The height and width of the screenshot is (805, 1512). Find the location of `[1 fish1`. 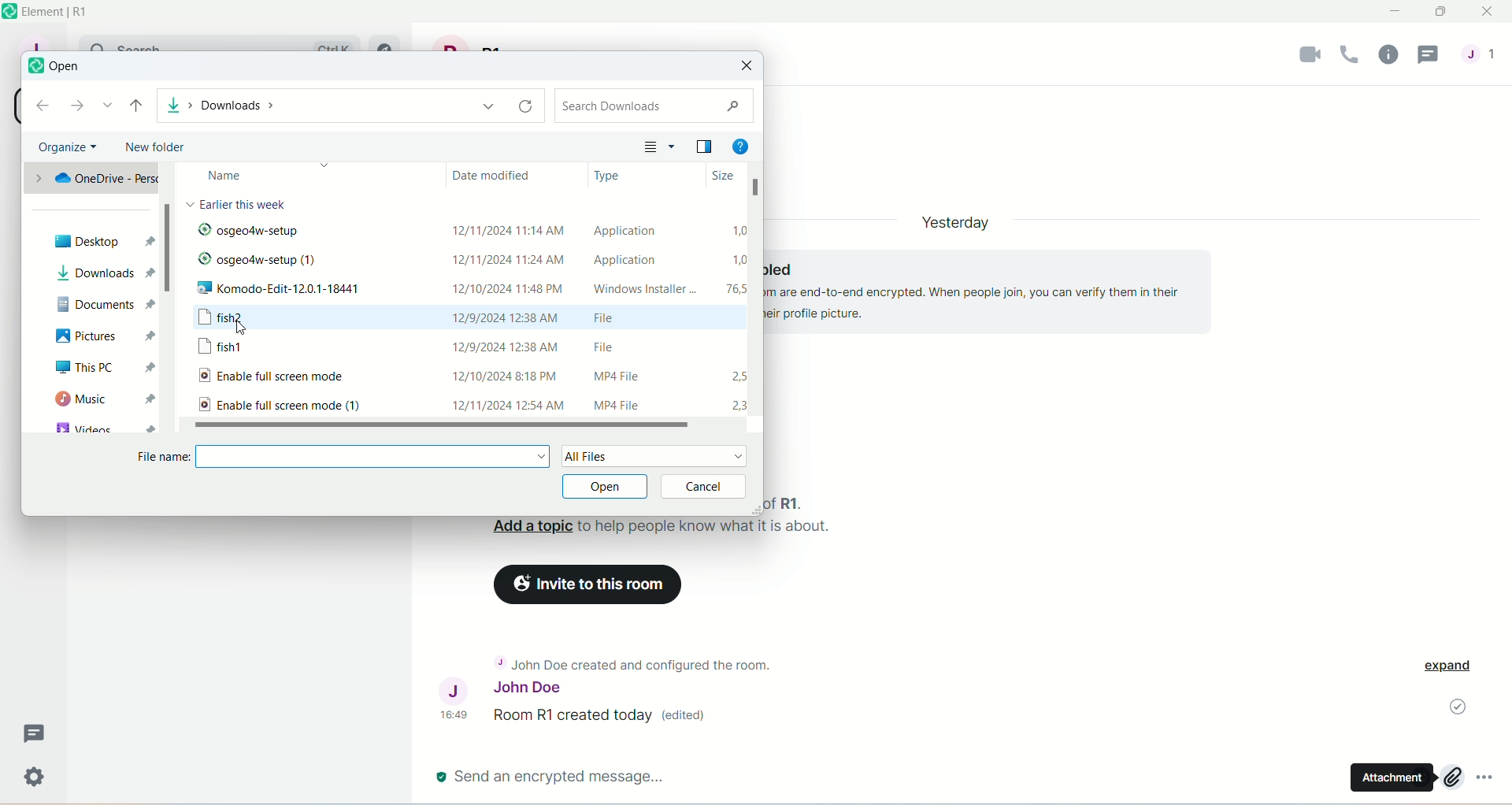

[1 fish1 is located at coordinates (232, 348).